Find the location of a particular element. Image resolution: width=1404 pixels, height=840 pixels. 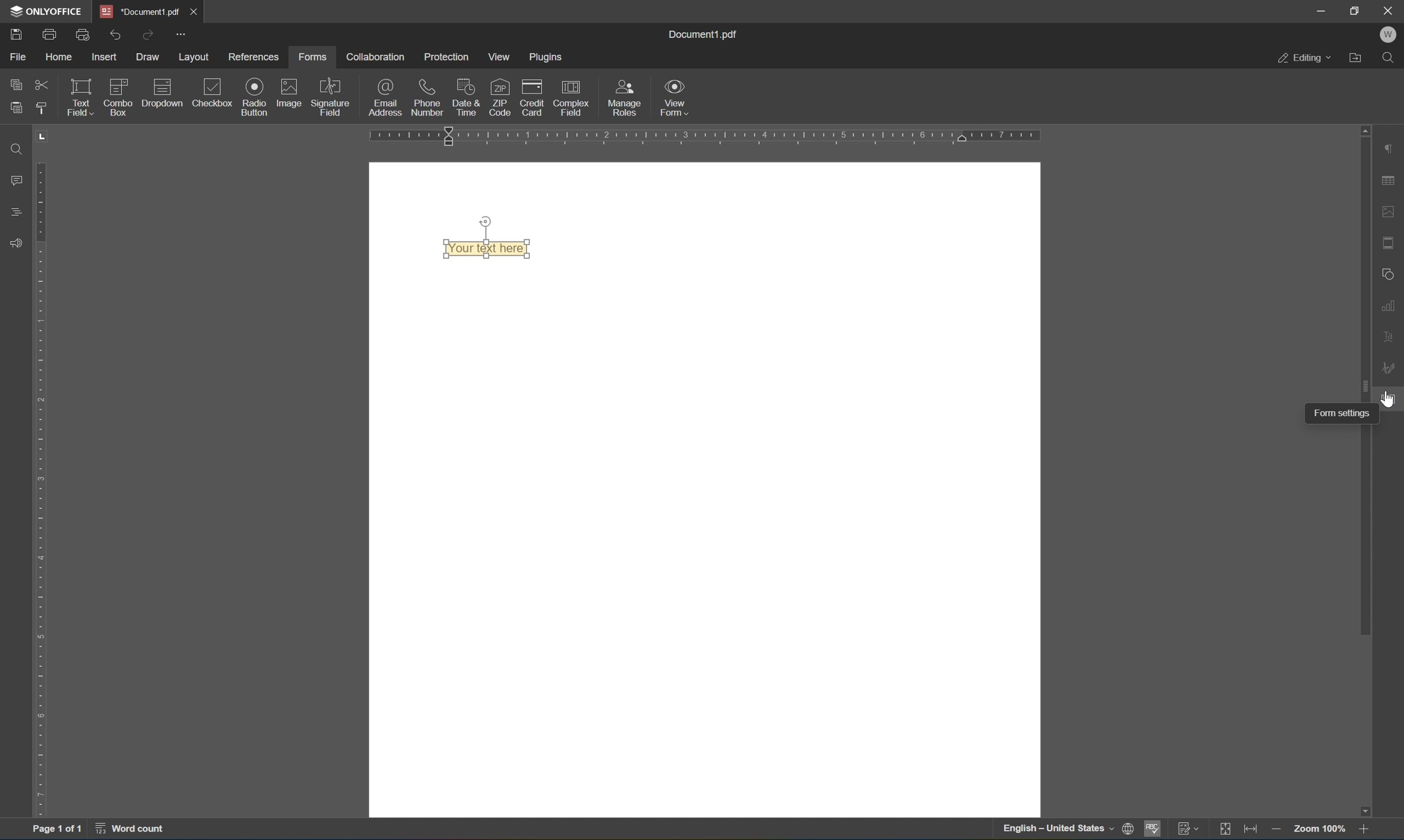

file is located at coordinates (18, 56).